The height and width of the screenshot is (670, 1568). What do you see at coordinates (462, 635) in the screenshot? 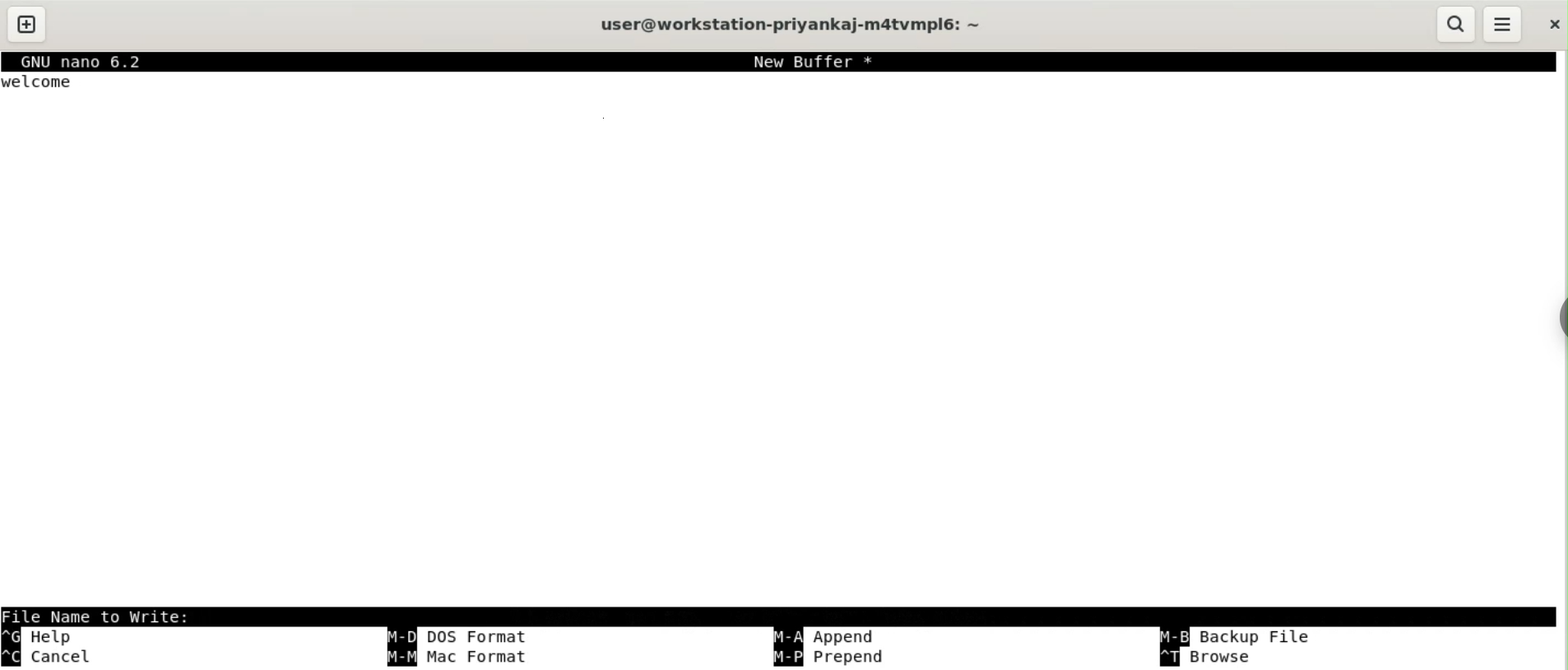
I see `cutdos format` at bounding box center [462, 635].